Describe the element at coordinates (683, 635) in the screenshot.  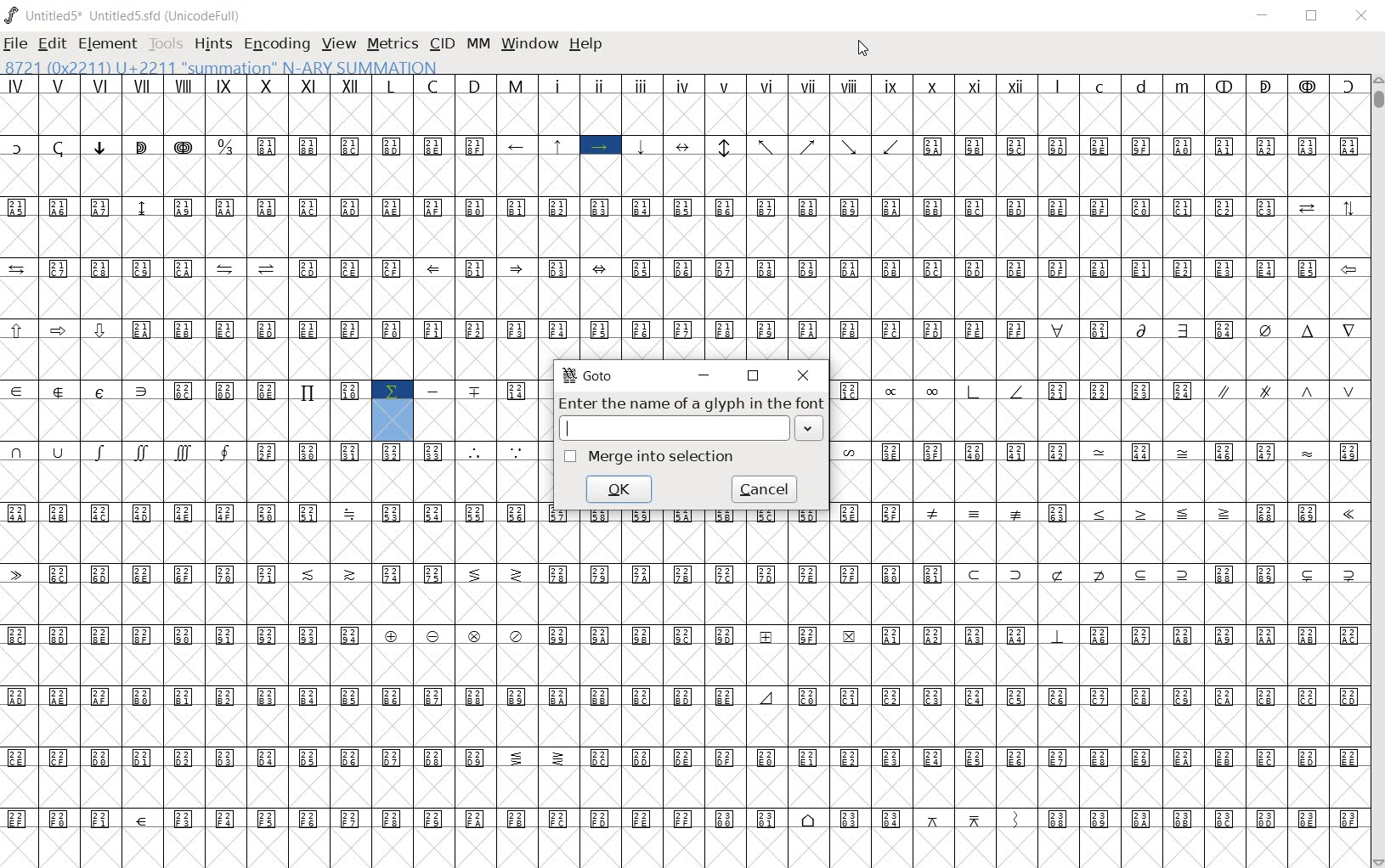
I see `special sybols` at that location.